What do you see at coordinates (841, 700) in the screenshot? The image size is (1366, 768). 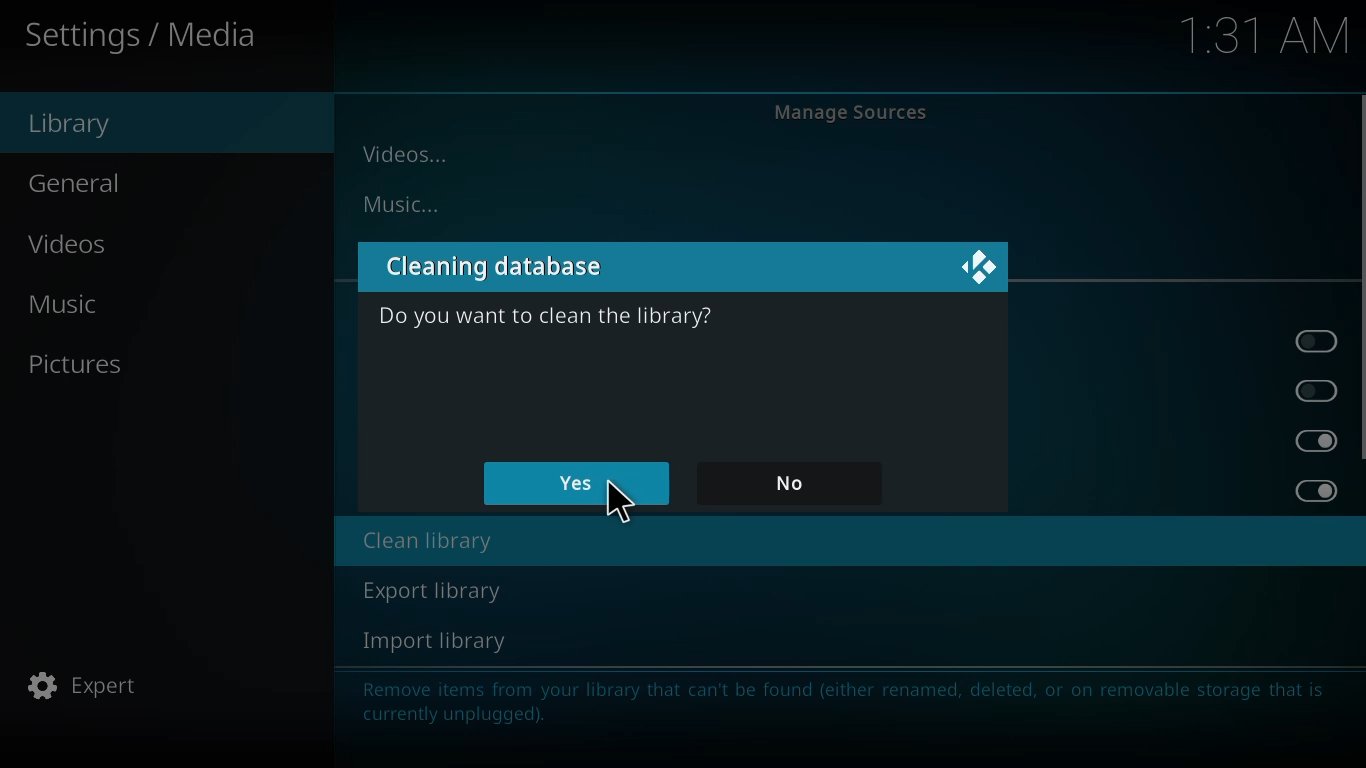 I see `info` at bounding box center [841, 700].